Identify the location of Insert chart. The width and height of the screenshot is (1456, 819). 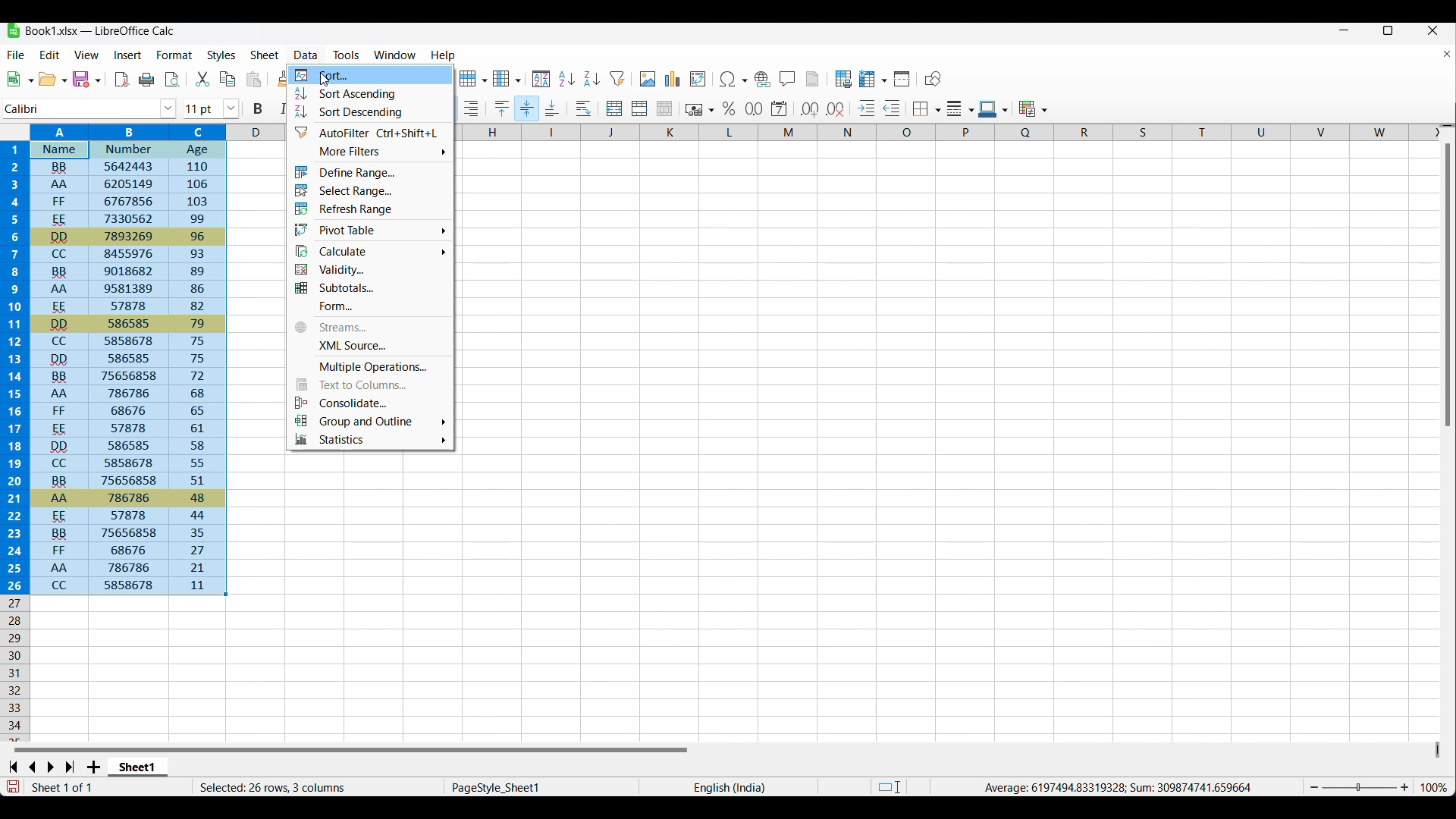
(673, 79).